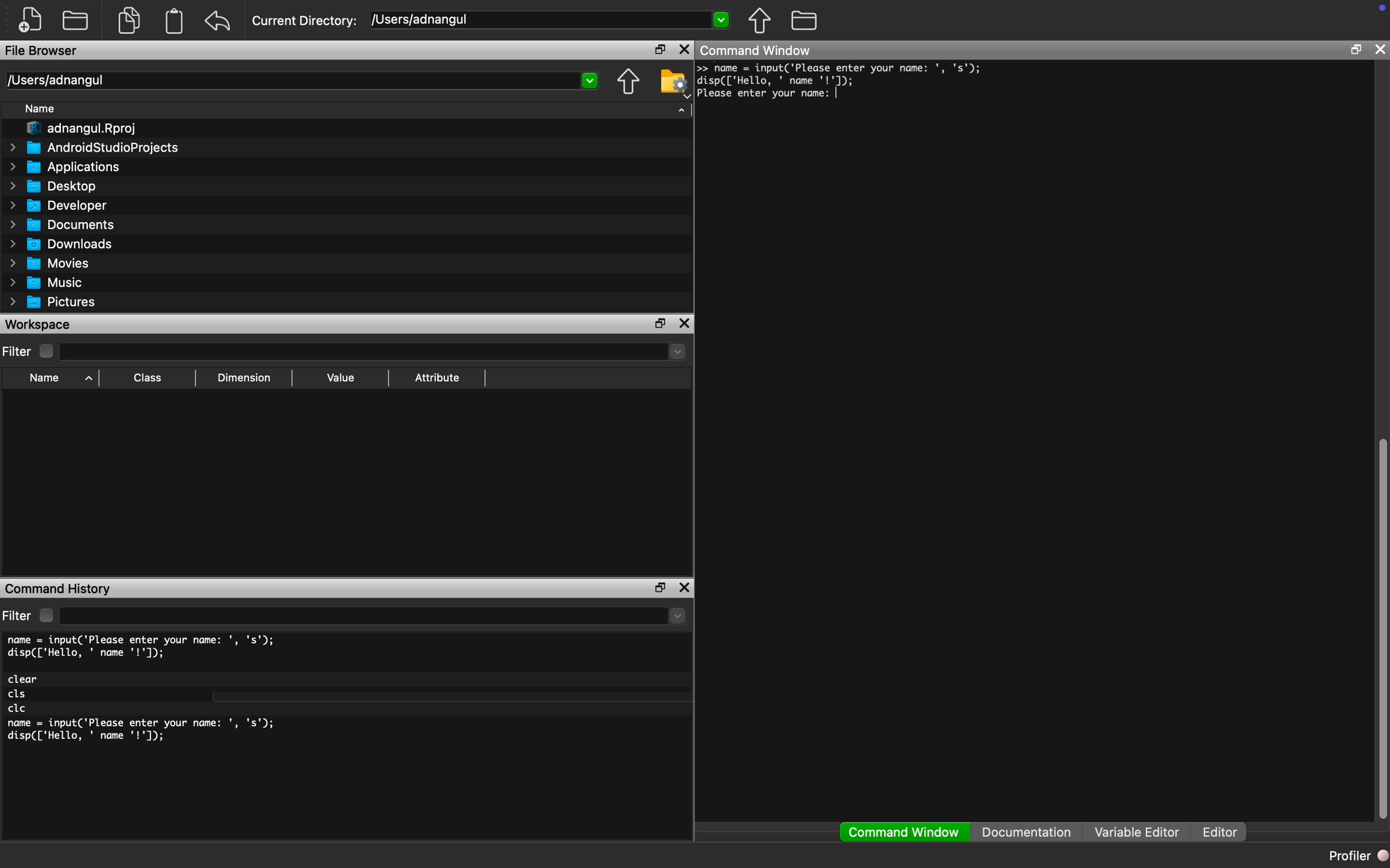  Describe the element at coordinates (58, 590) in the screenshot. I see `Command History` at that location.